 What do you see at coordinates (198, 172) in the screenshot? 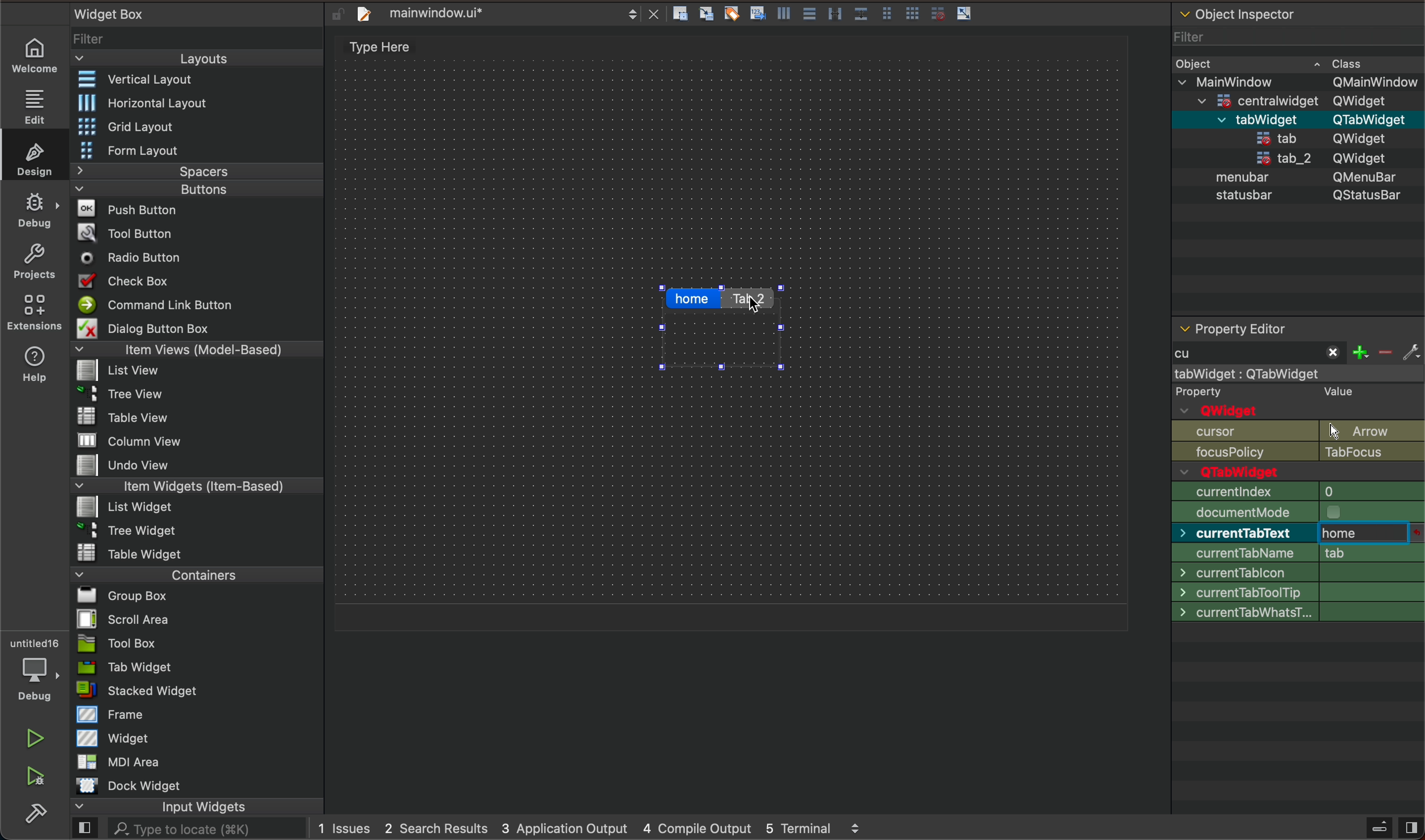
I see `Spacers` at bounding box center [198, 172].